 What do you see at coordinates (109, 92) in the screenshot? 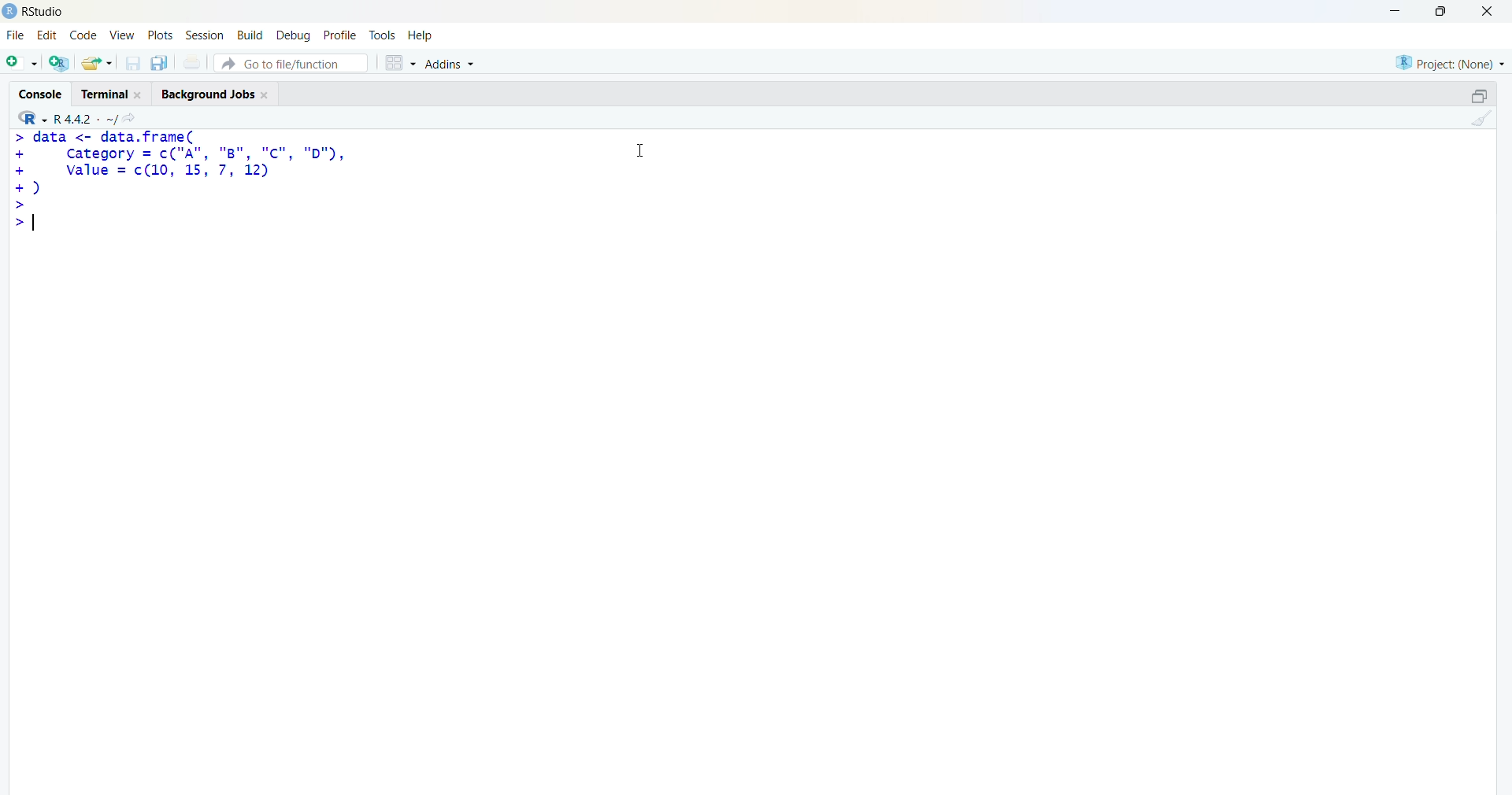
I see `Terminal` at bounding box center [109, 92].